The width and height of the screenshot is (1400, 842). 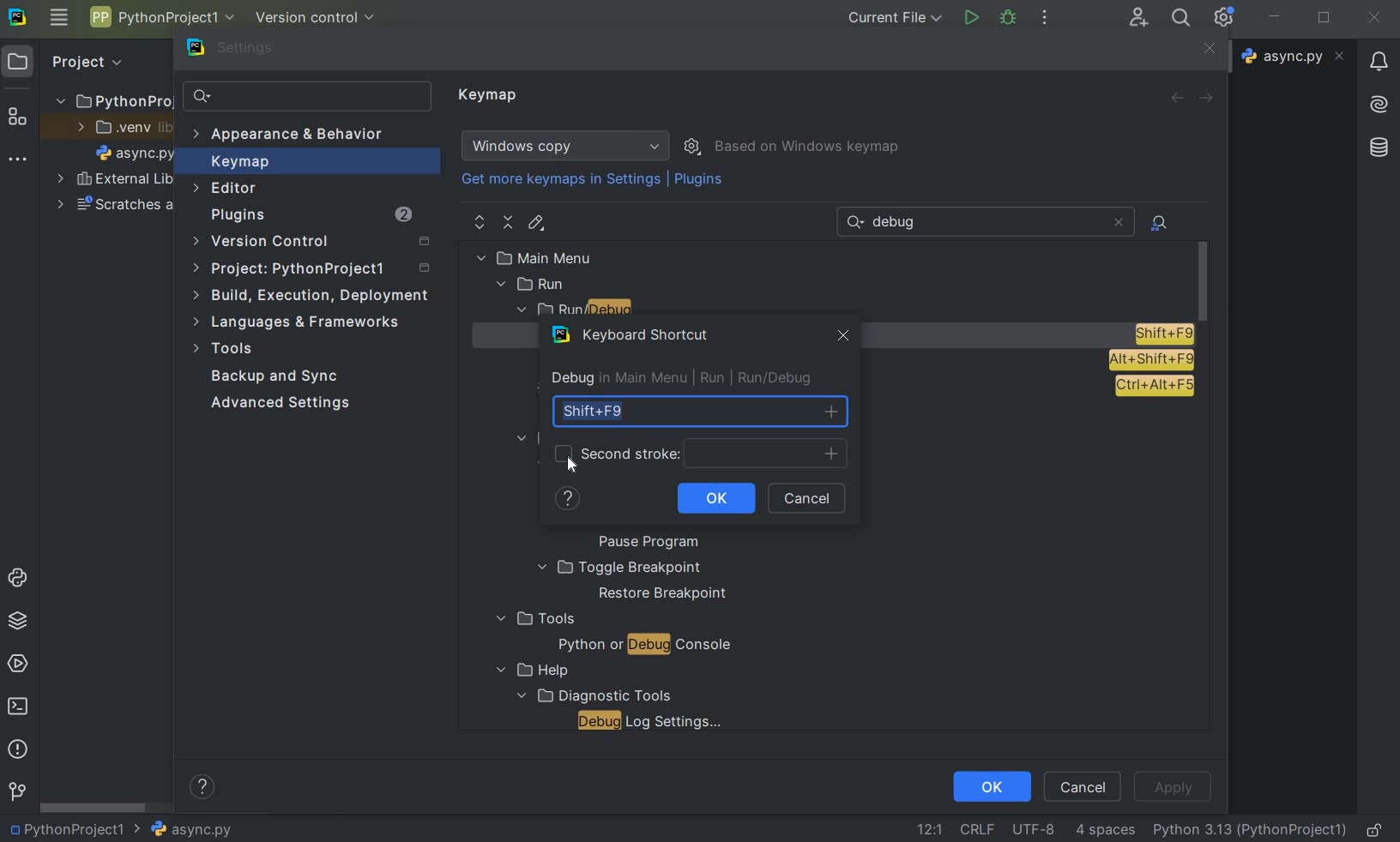 I want to click on scrollbar, so click(x=94, y=808).